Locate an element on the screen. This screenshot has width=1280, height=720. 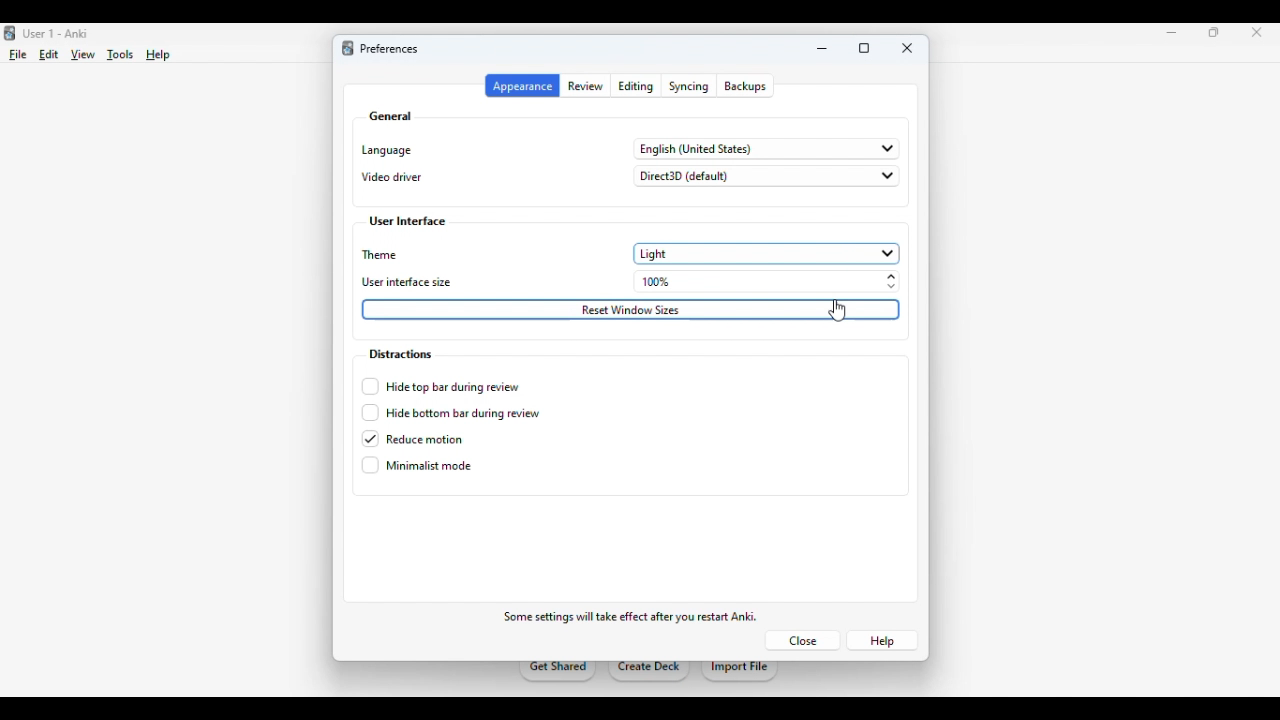
cursor is located at coordinates (841, 308).